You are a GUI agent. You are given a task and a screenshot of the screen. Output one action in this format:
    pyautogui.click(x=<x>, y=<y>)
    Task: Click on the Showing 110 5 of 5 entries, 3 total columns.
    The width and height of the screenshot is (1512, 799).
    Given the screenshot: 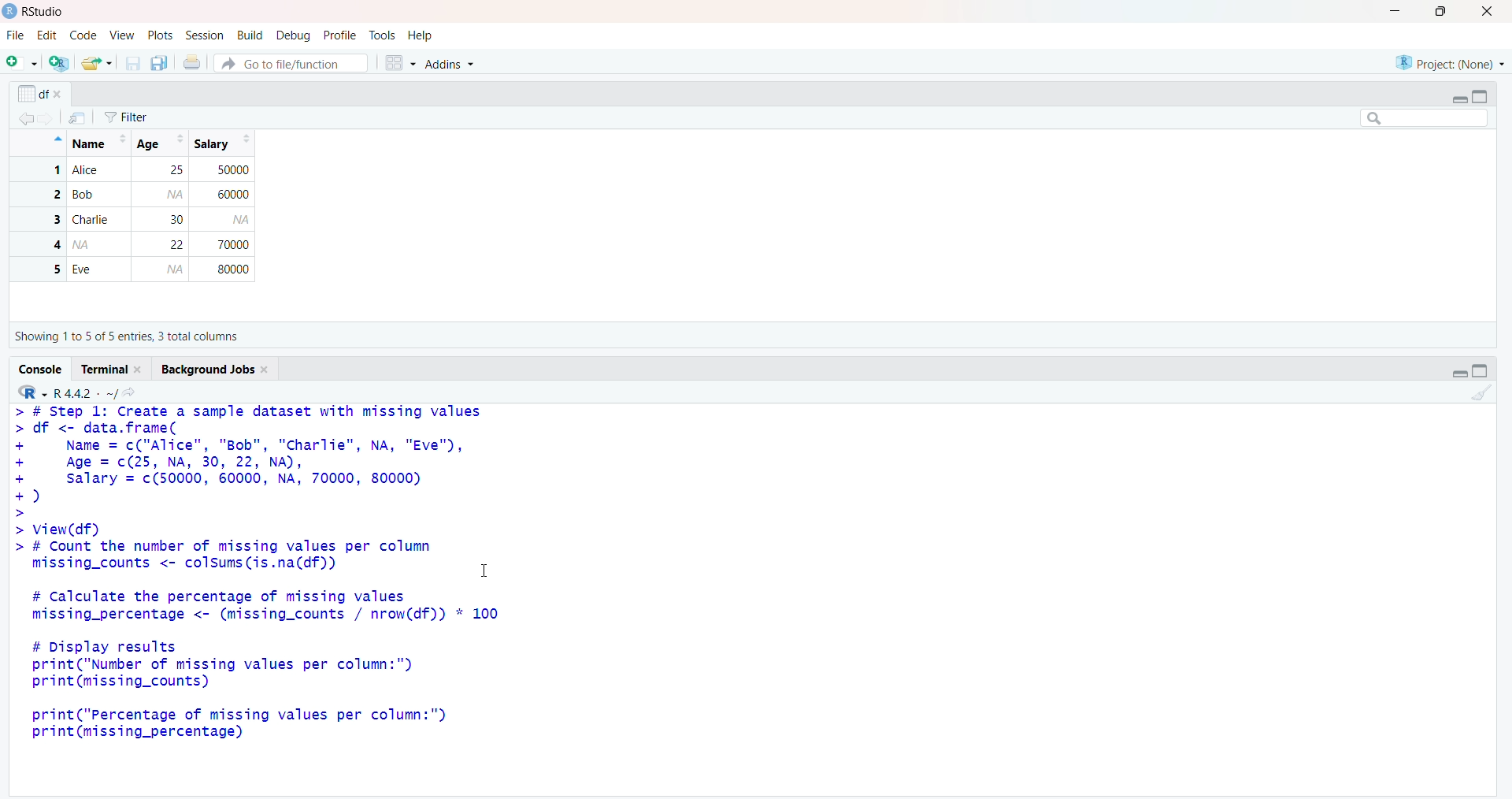 What is the action you would take?
    pyautogui.click(x=130, y=336)
    